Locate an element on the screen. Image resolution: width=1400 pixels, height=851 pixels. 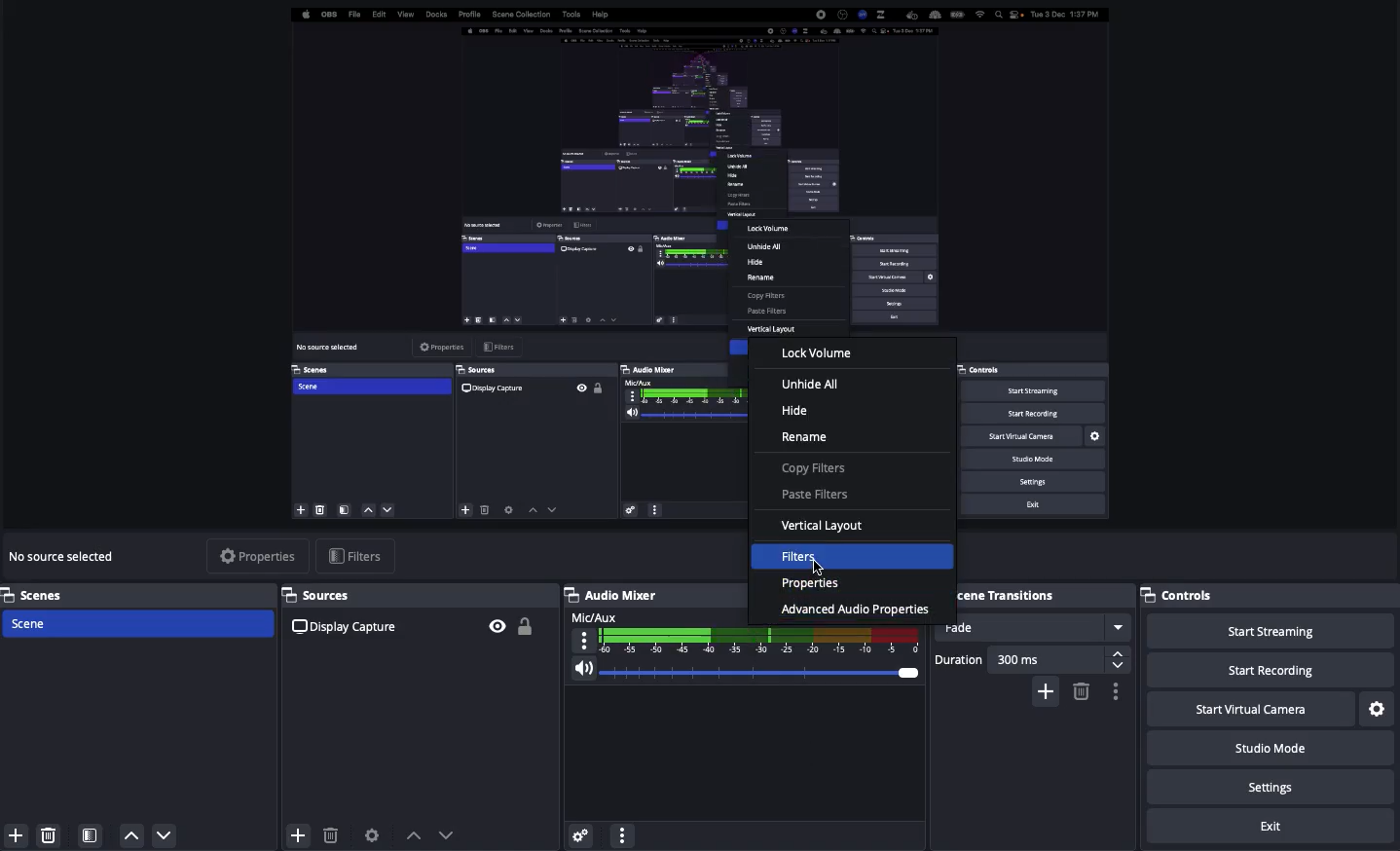
Add is located at coordinates (13, 835).